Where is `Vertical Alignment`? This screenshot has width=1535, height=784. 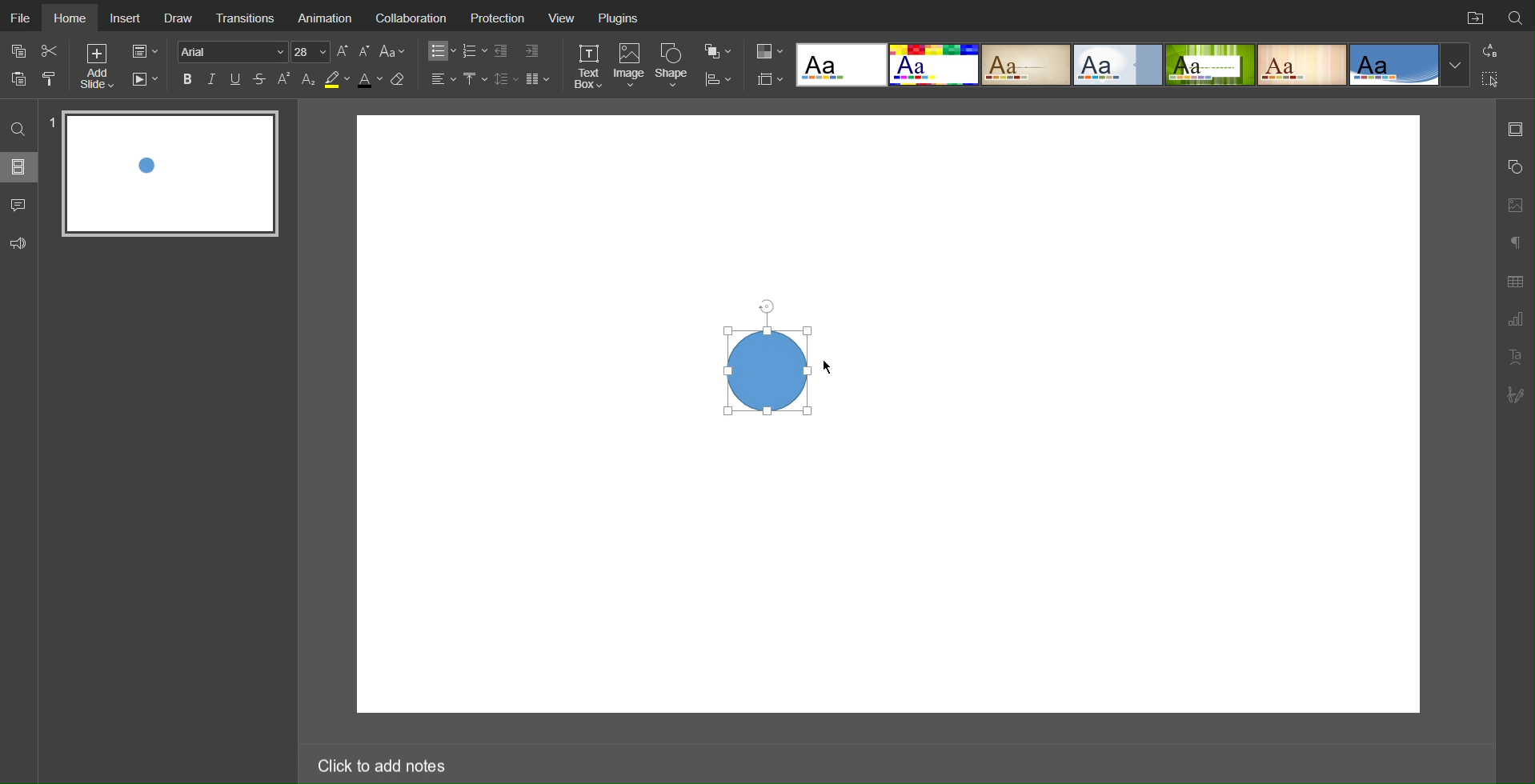 Vertical Alignment is located at coordinates (475, 79).